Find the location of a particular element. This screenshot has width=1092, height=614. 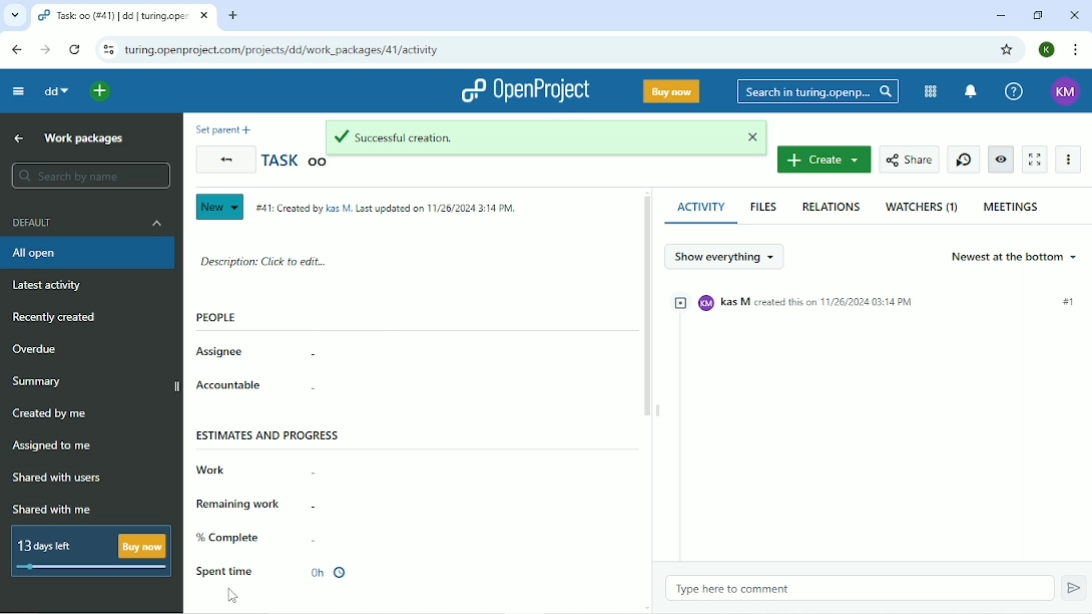

Open quick add menu is located at coordinates (108, 90).